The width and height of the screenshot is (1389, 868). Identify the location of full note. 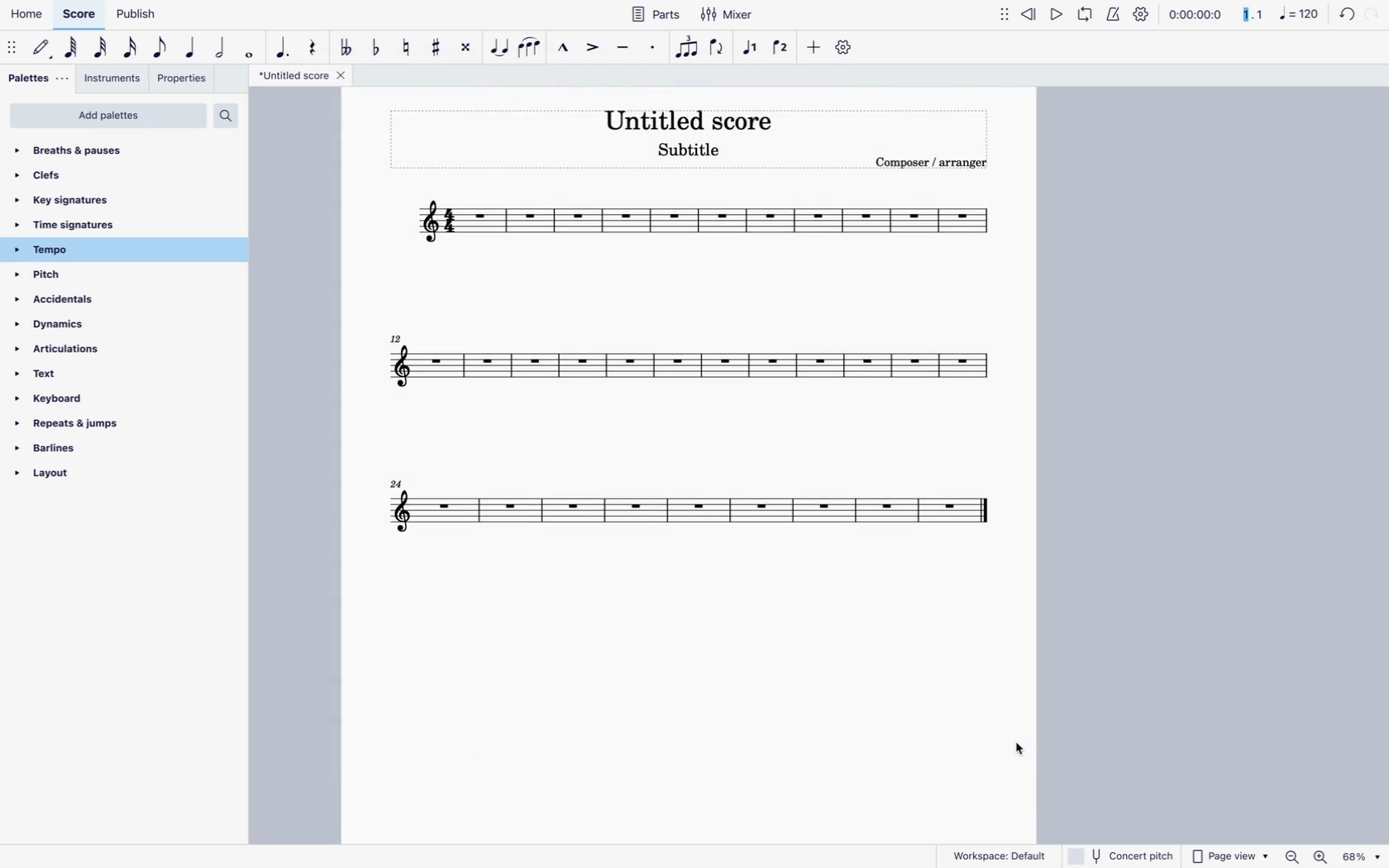
(251, 51).